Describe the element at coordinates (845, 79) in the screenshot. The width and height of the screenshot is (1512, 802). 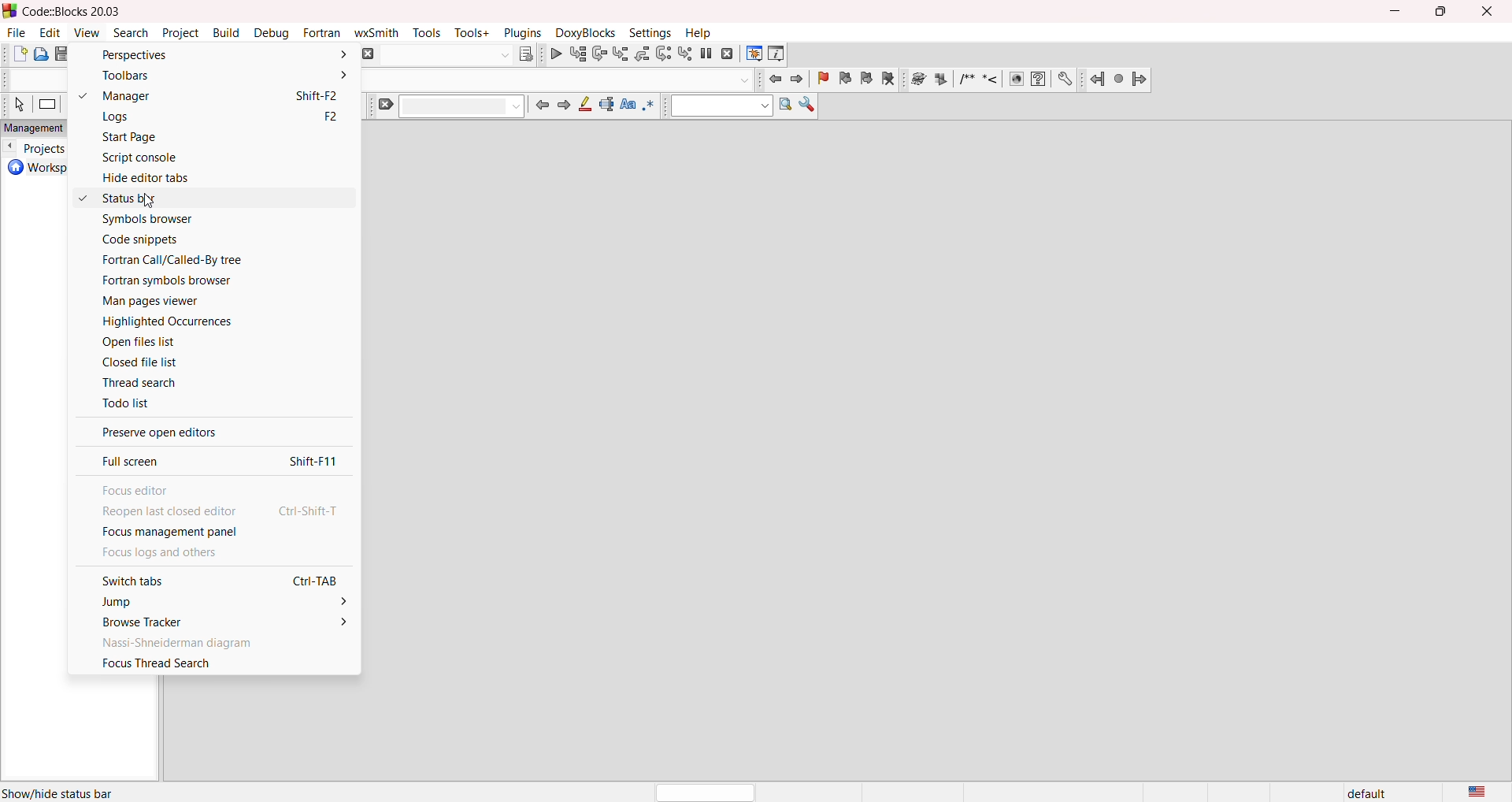
I see `prev bookmark` at that location.